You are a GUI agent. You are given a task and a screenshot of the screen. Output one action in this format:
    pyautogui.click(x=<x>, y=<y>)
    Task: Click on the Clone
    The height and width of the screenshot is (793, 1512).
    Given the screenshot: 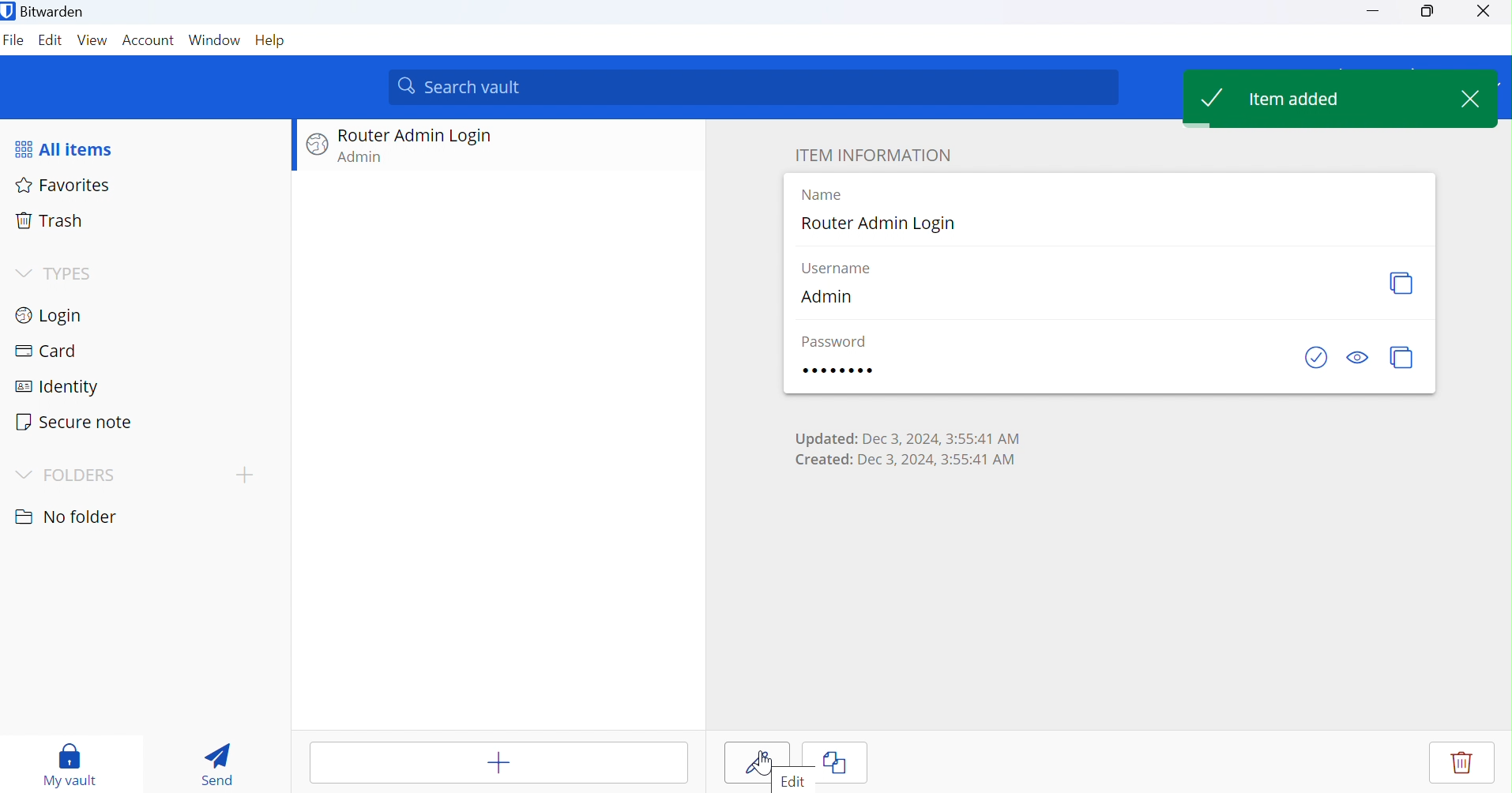 What is the action you would take?
    pyautogui.click(x=843, y=764)
    